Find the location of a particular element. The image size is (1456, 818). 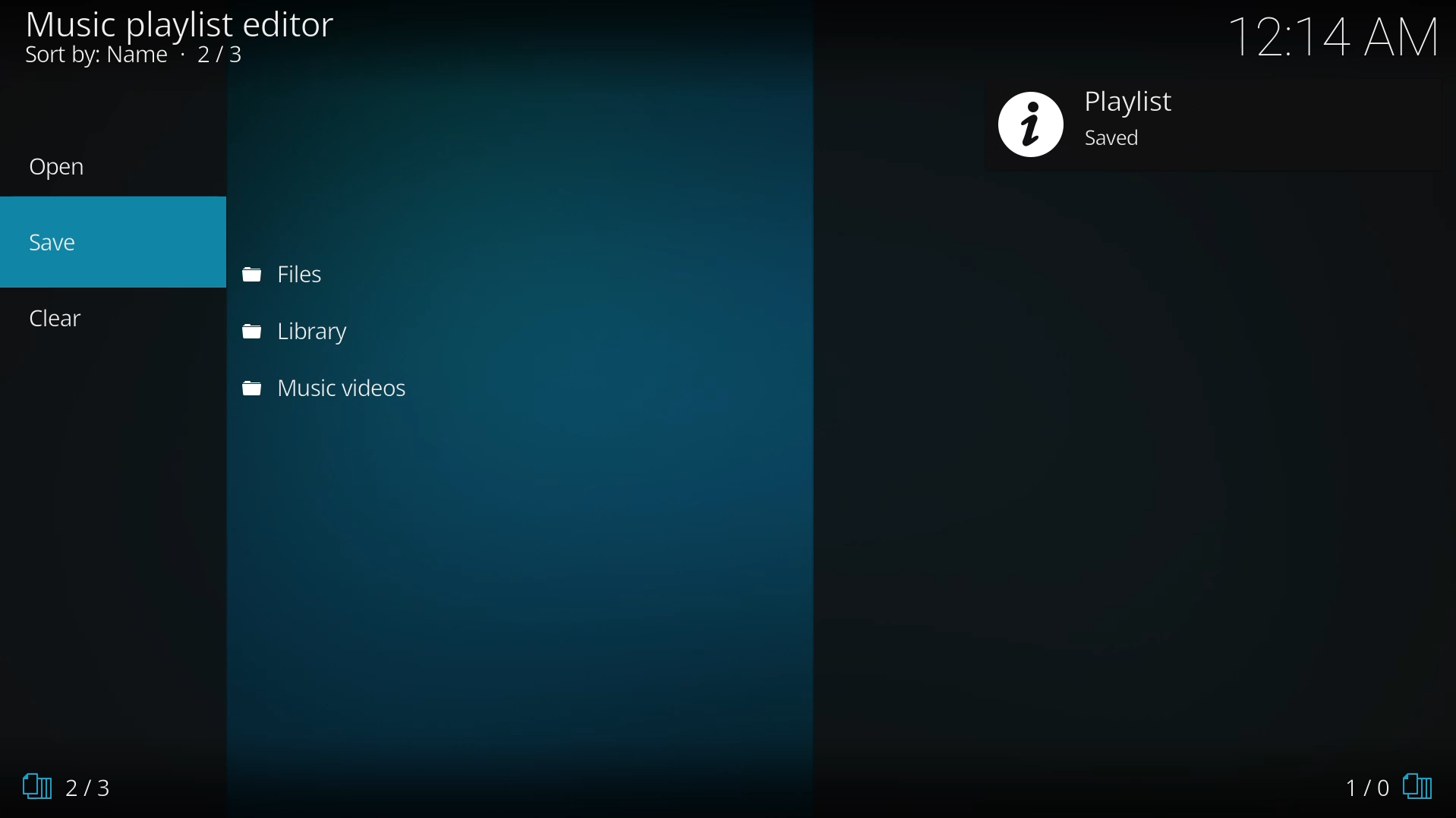

open is located at coordinates (60, 167).